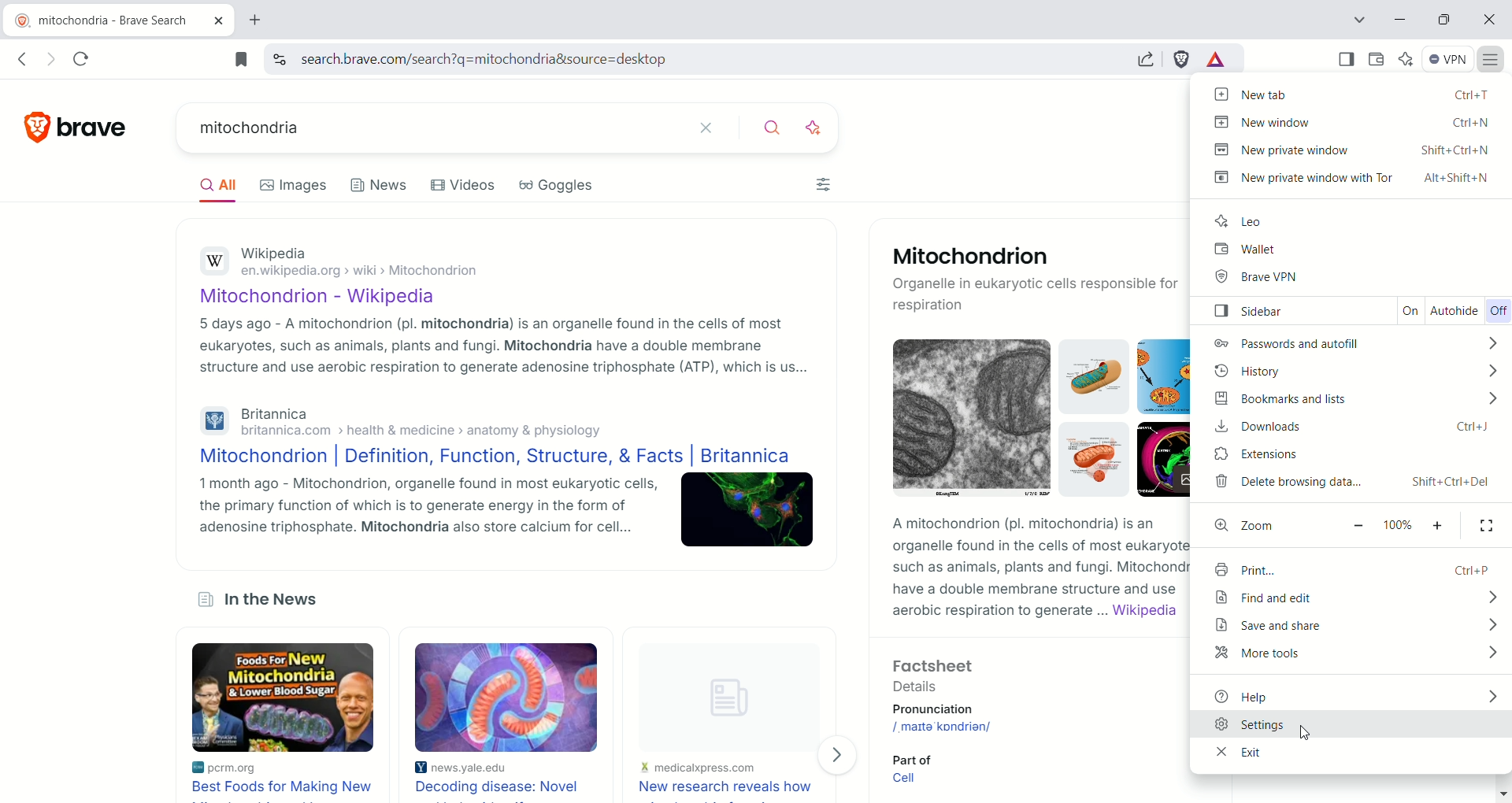 This screenshot has width=1512, height=803. What do you see at coordinates (1354, 757) in the screenshot?
I see `exit` at bounding box center [1354, 757].